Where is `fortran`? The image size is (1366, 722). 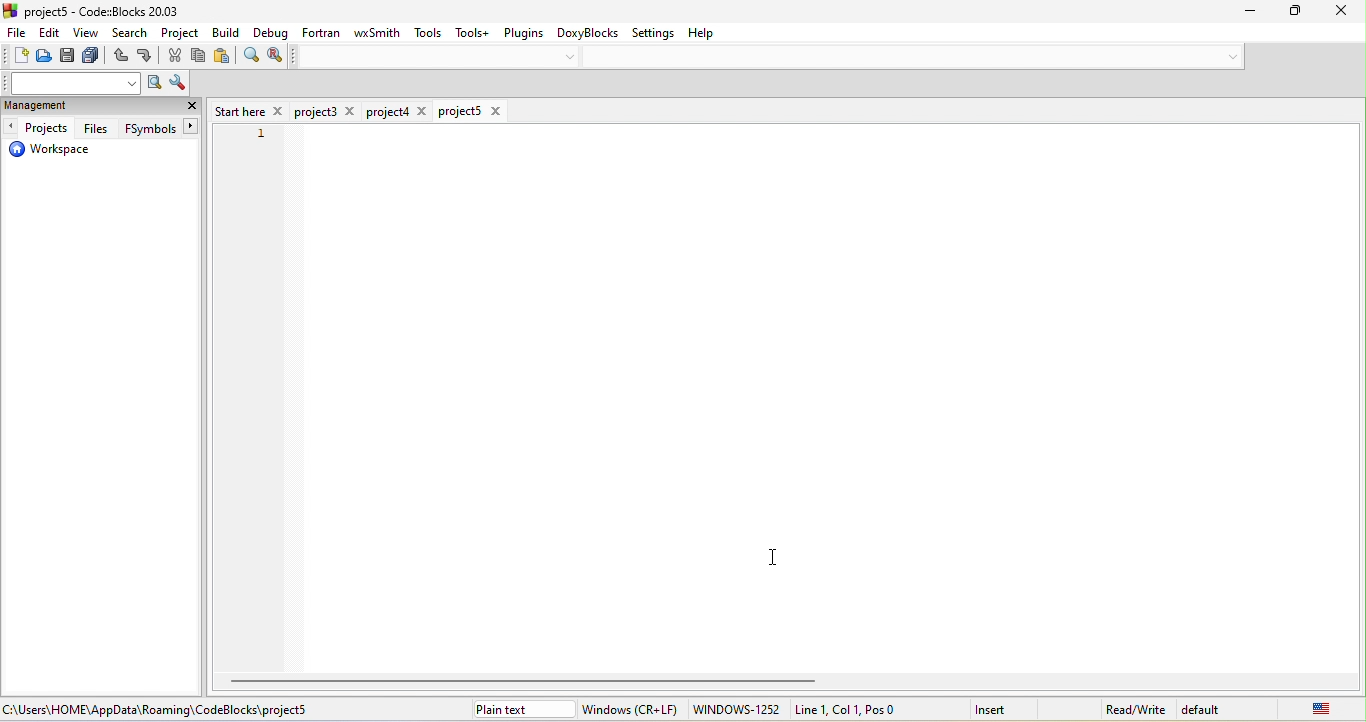
fortran is located at coordinates (322, 32).